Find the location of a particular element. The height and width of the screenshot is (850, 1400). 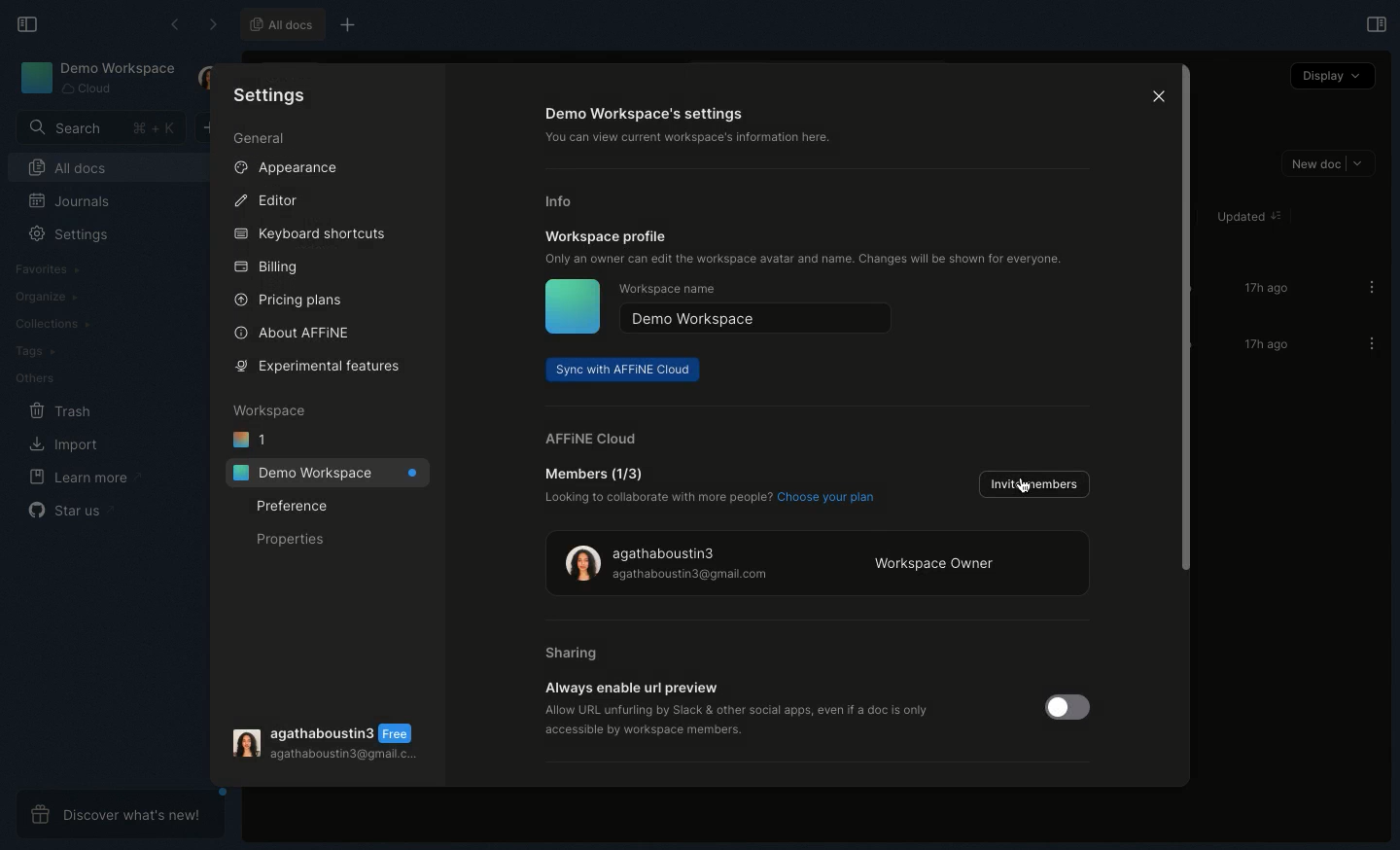

Properties is located at coordinates (288, 540).